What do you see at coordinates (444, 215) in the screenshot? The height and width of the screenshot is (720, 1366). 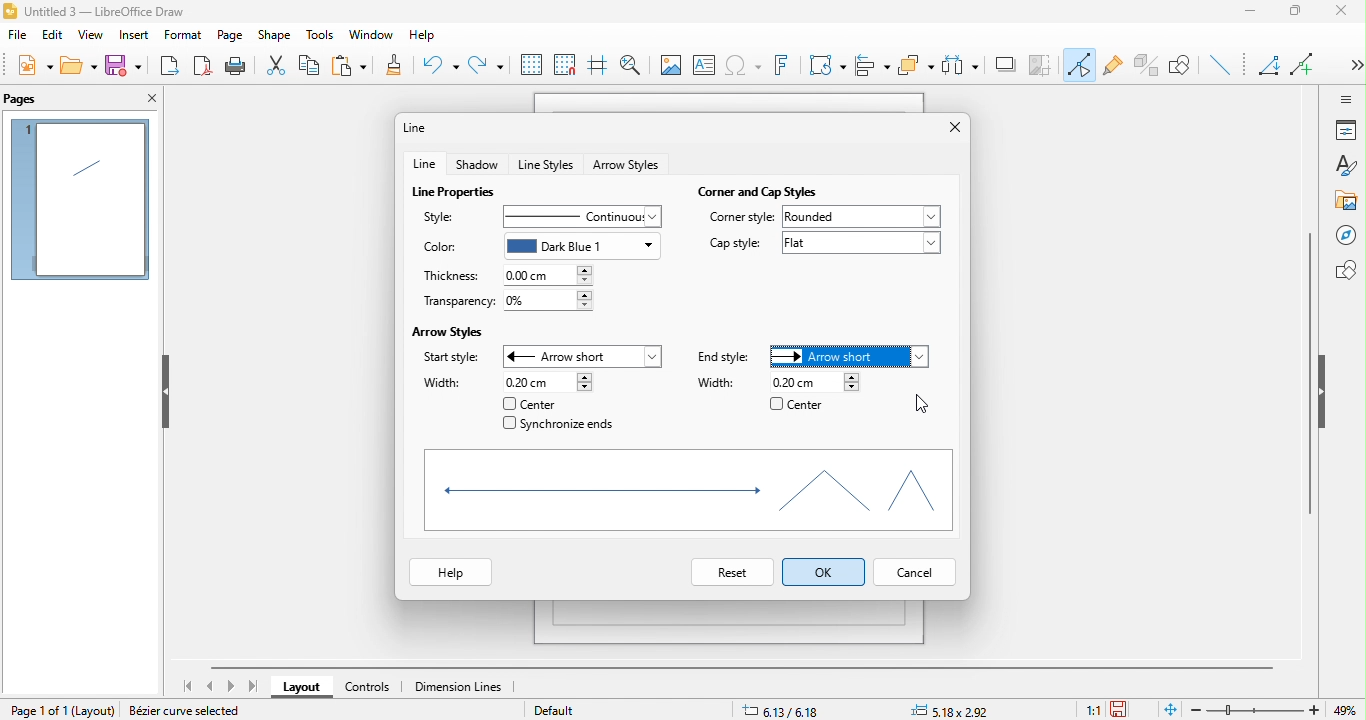 I see `style` at bounding box center [444, 215].